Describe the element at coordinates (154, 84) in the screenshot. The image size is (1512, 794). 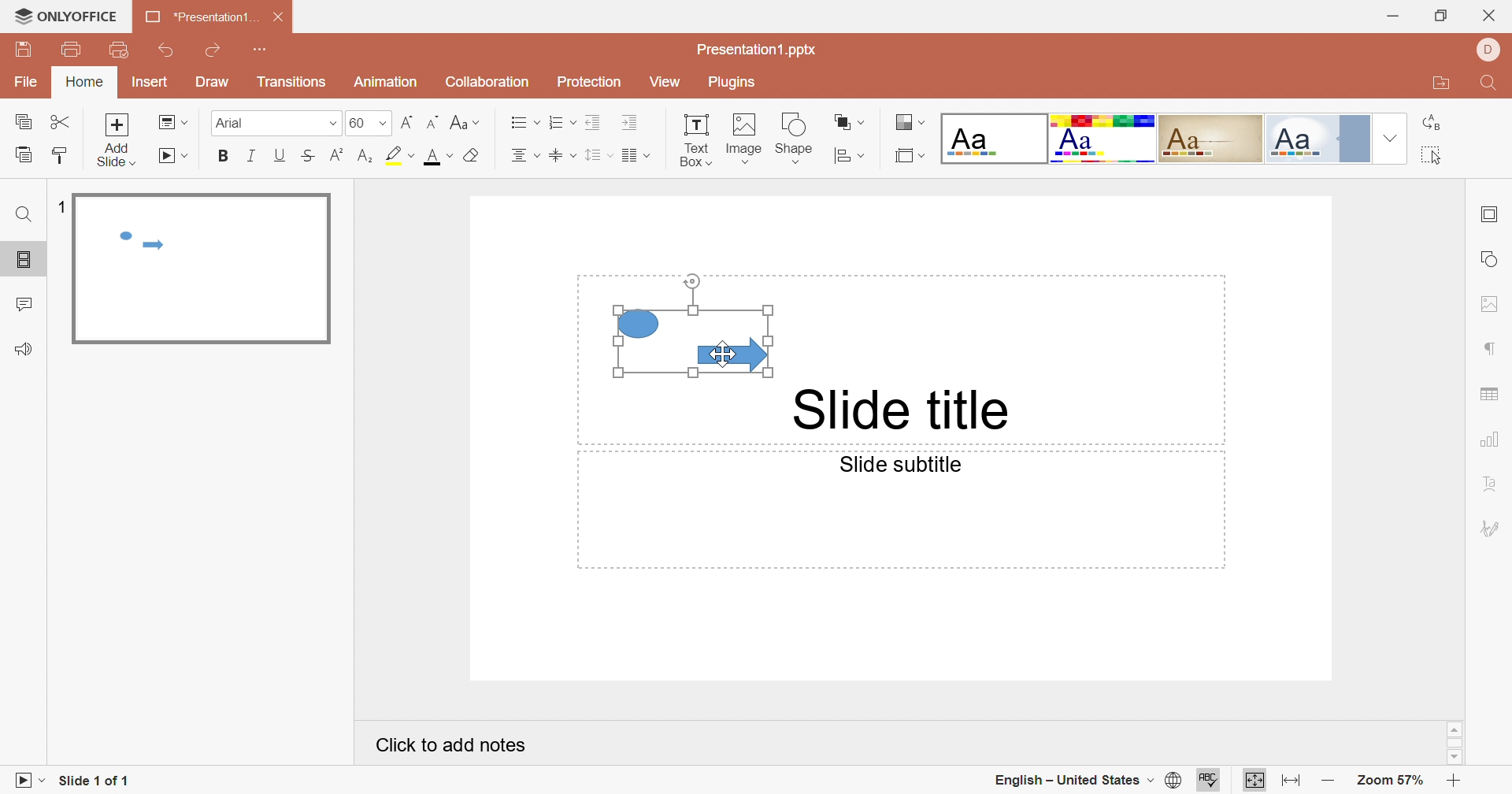
I see `Insert` at that location.